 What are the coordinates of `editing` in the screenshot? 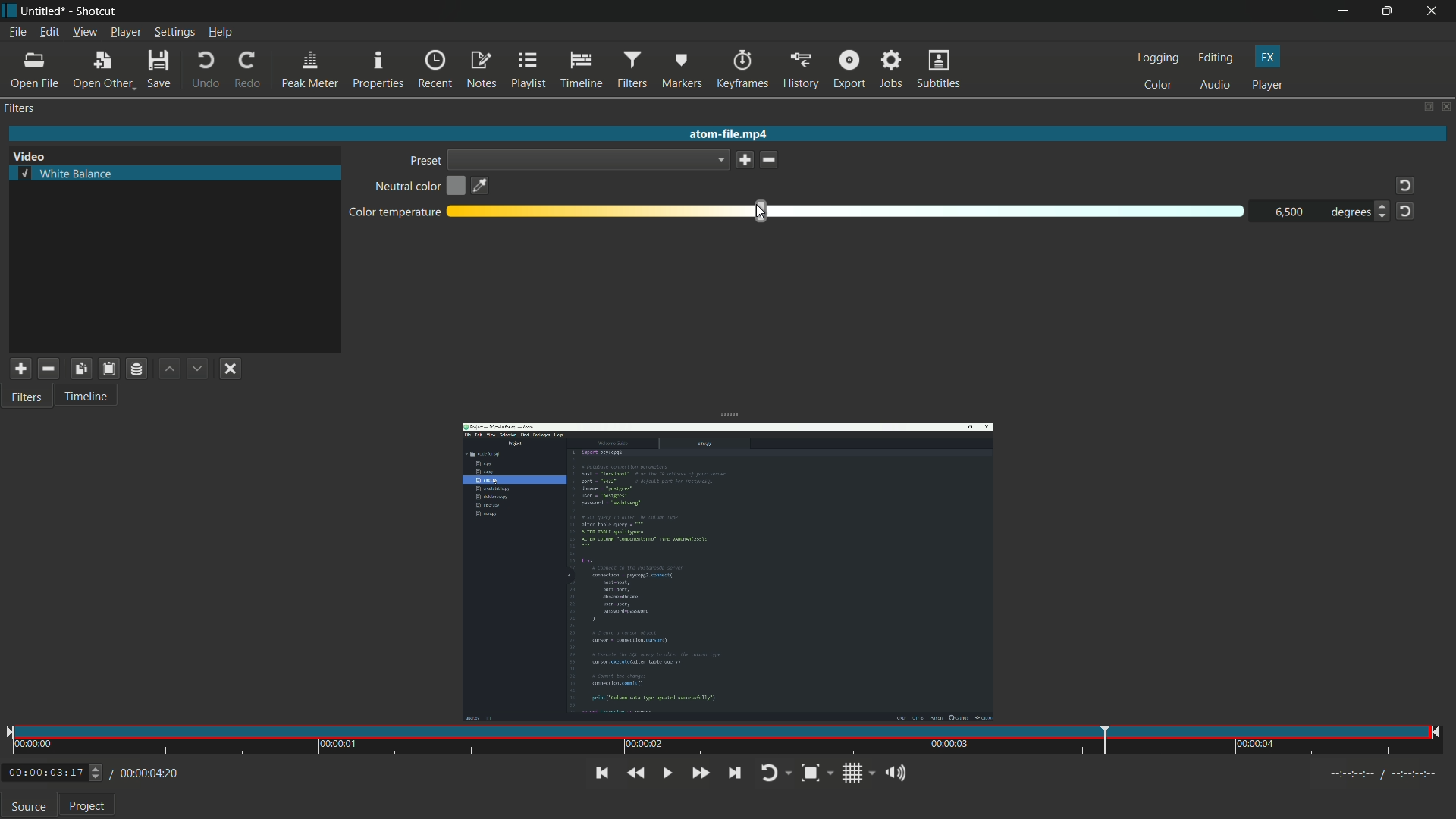 It's located at (1216, 59).